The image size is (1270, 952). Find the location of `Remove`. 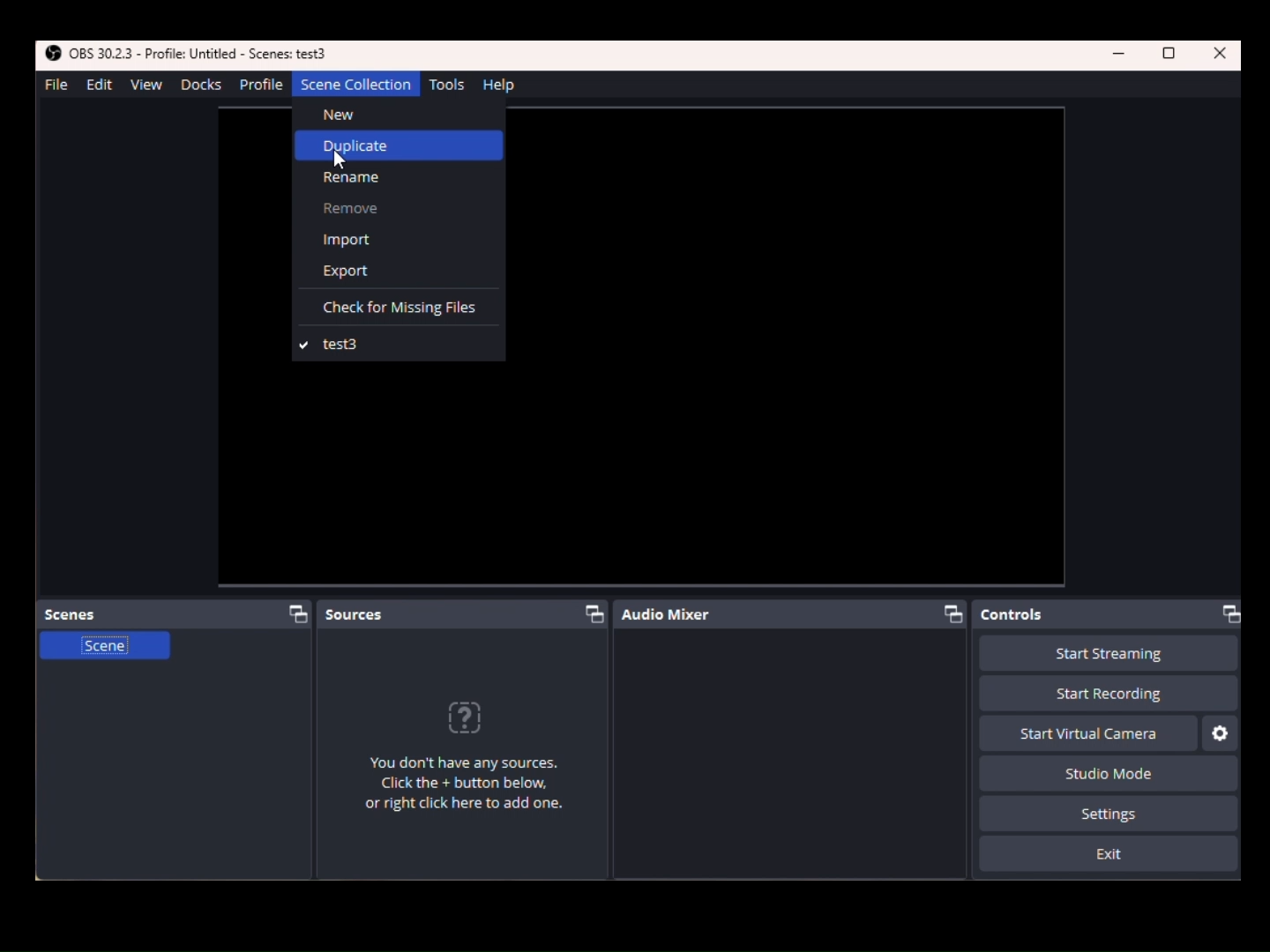

Remove is located at coordinates (399, 209).